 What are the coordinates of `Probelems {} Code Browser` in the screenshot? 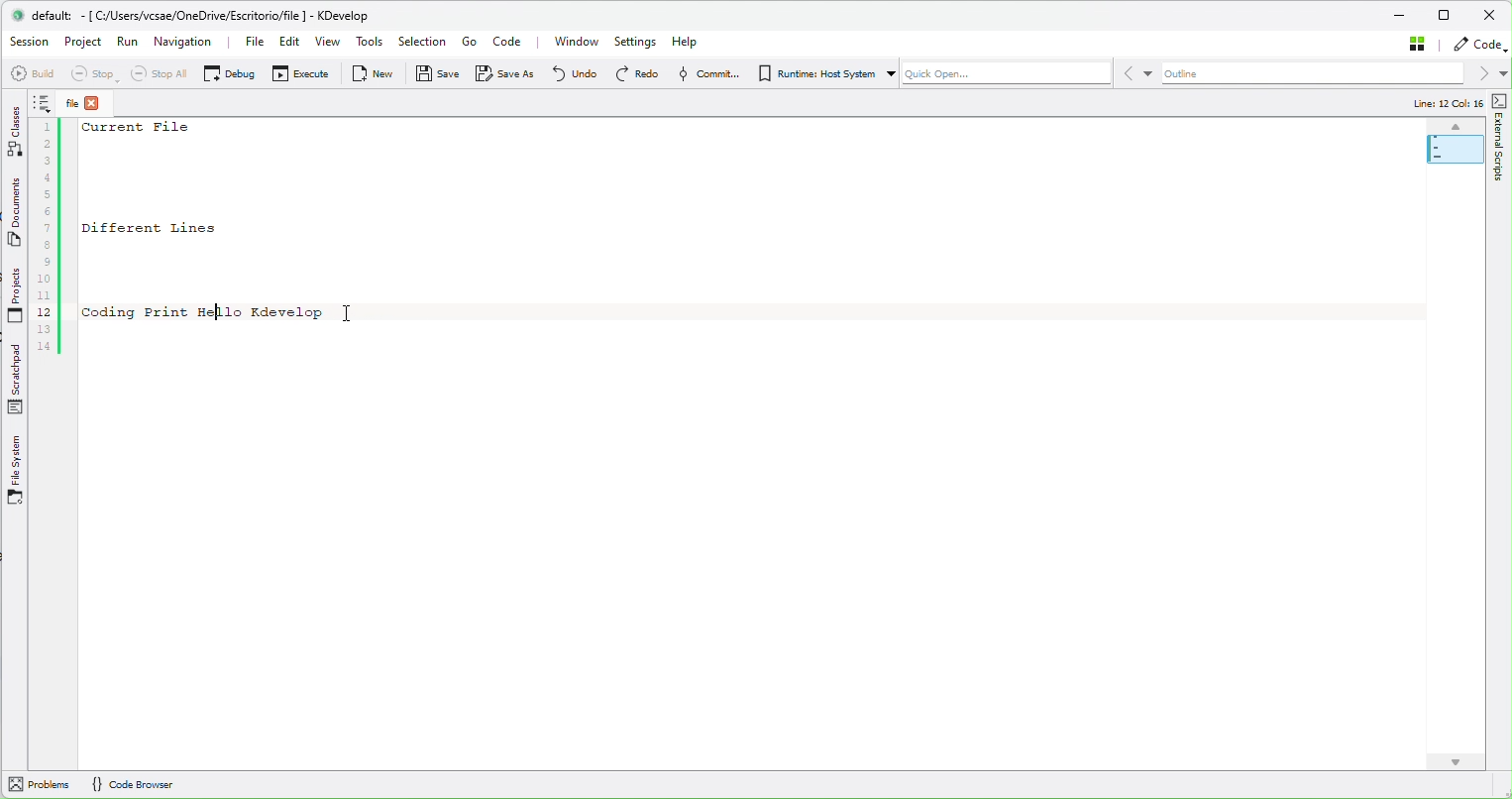 It's located at (112, 784).